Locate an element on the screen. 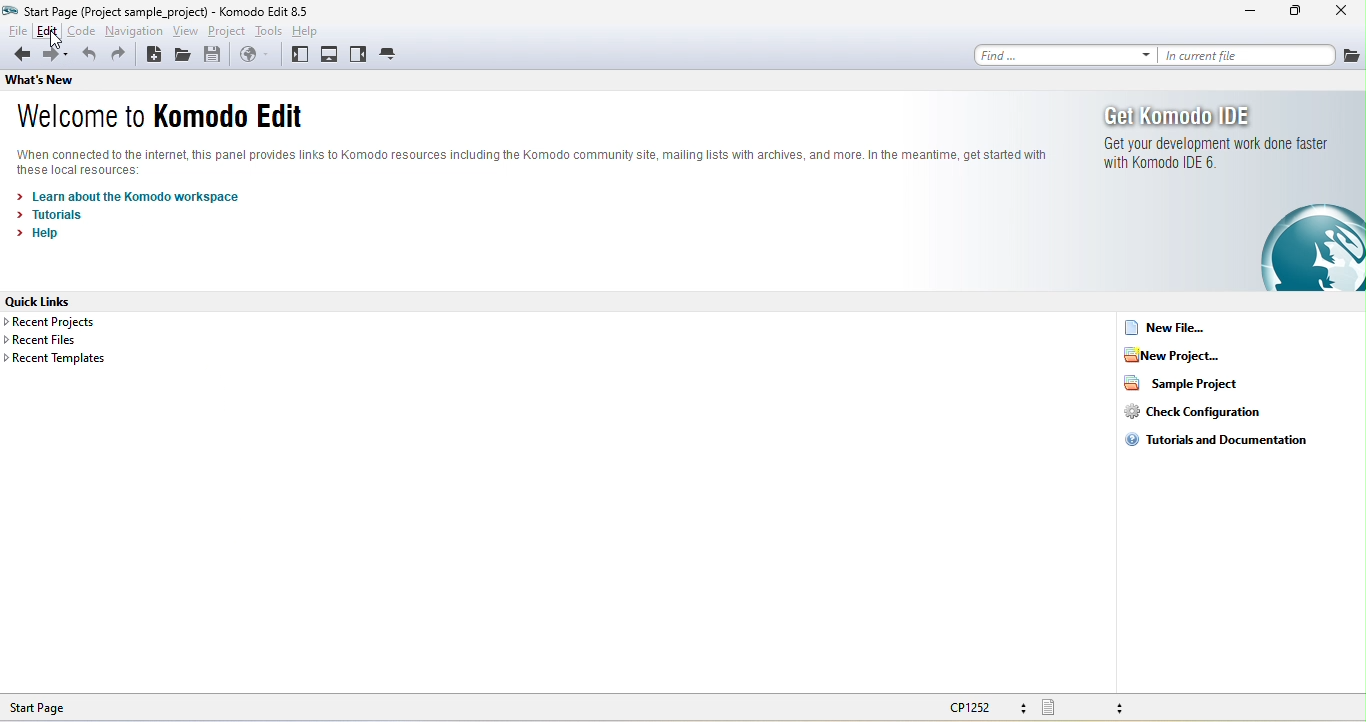 The height and width of the screenshot is (722, 1366). recent files is located at coordinates (54, 340).